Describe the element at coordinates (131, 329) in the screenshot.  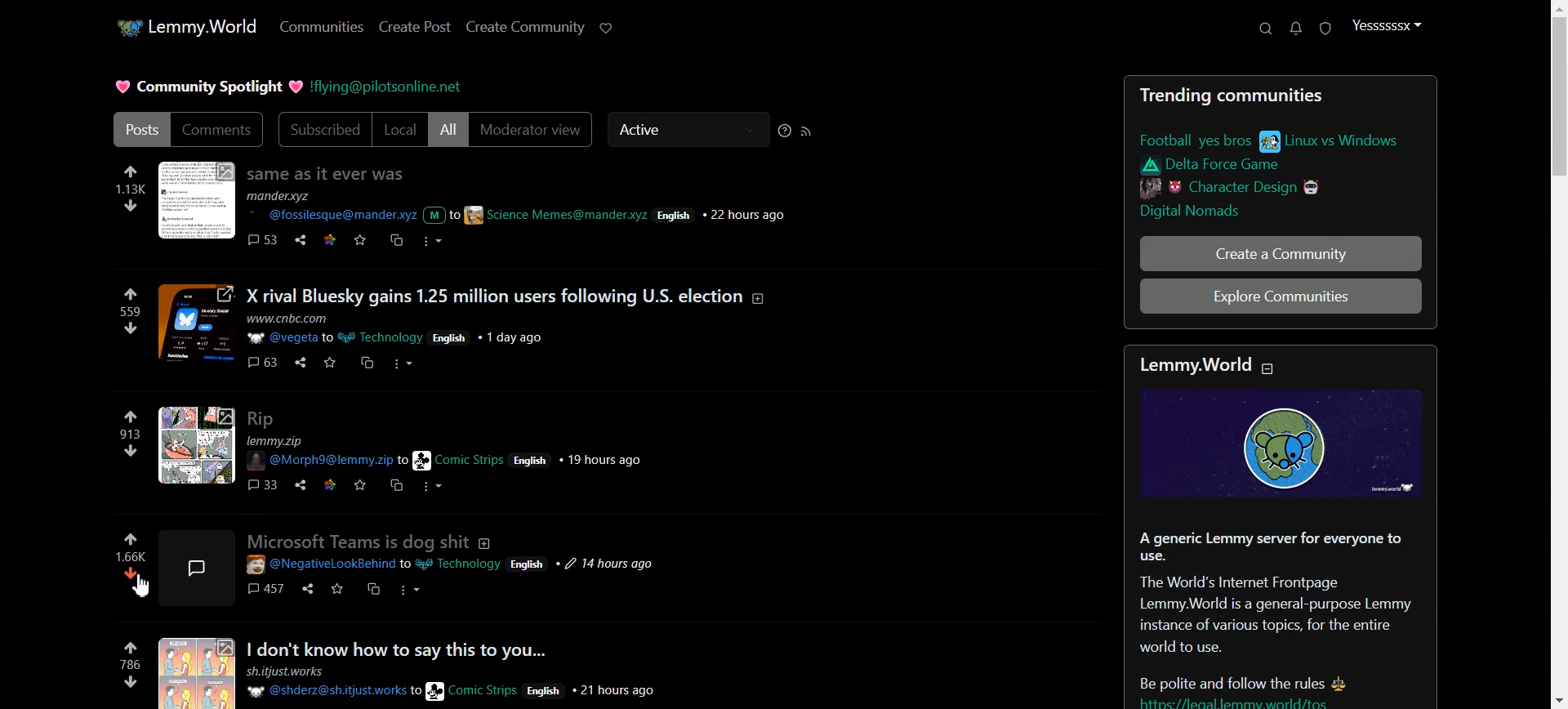
I see `down` at that location.